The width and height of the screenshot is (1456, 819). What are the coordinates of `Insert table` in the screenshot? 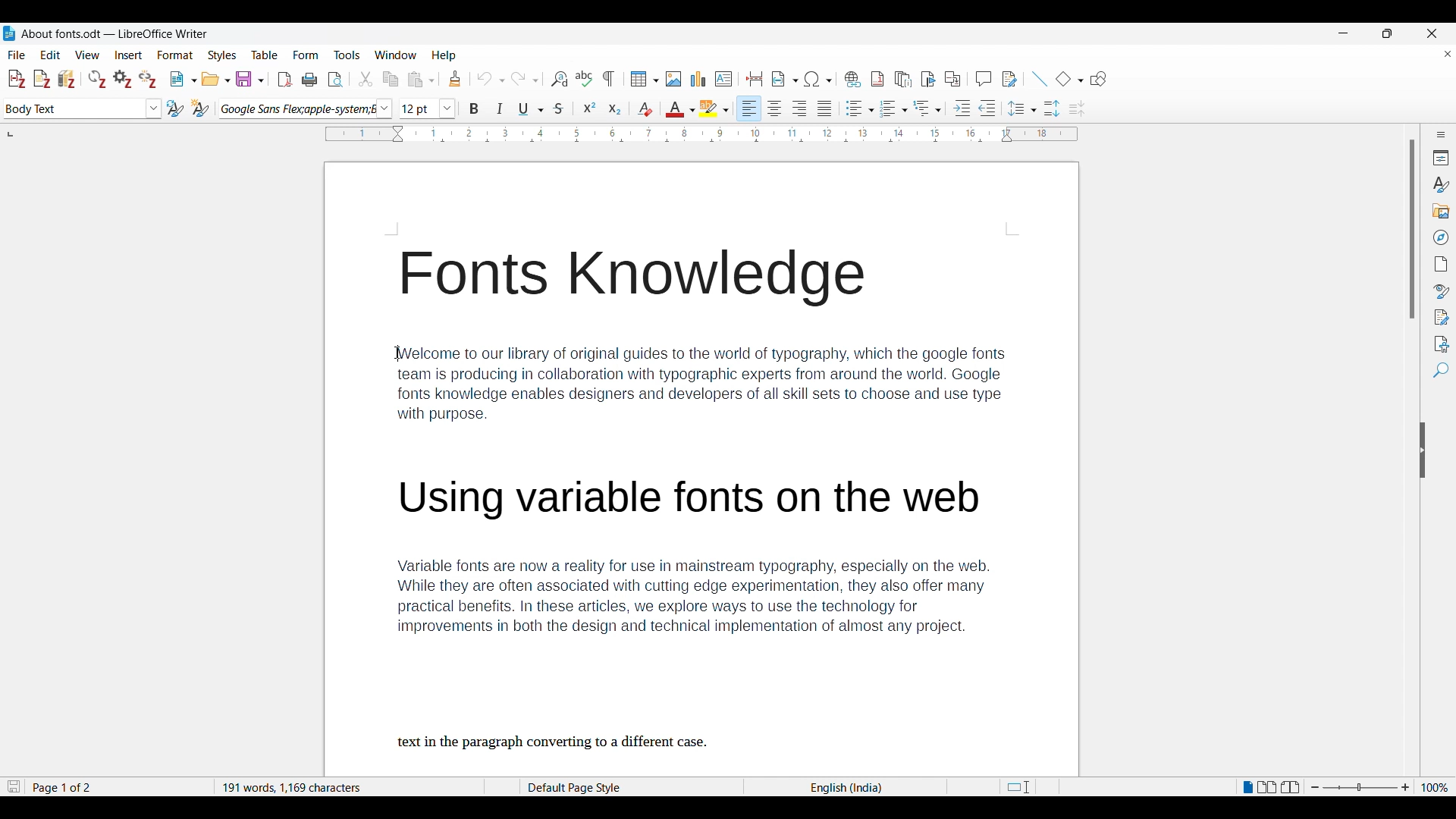 It's located at (645, 79).